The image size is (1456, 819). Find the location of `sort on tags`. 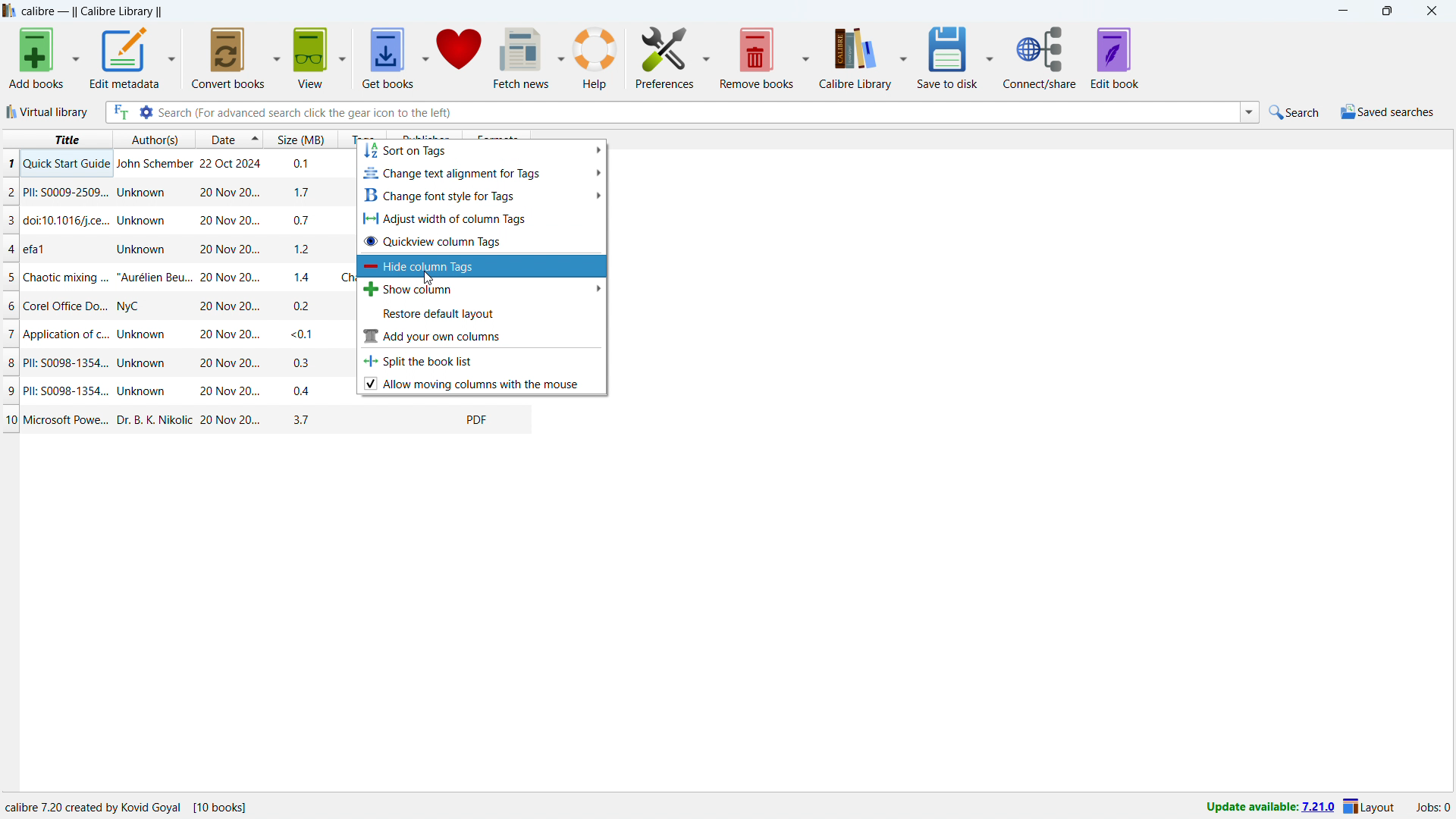

sort on tags is located at coordinates (482, 151).